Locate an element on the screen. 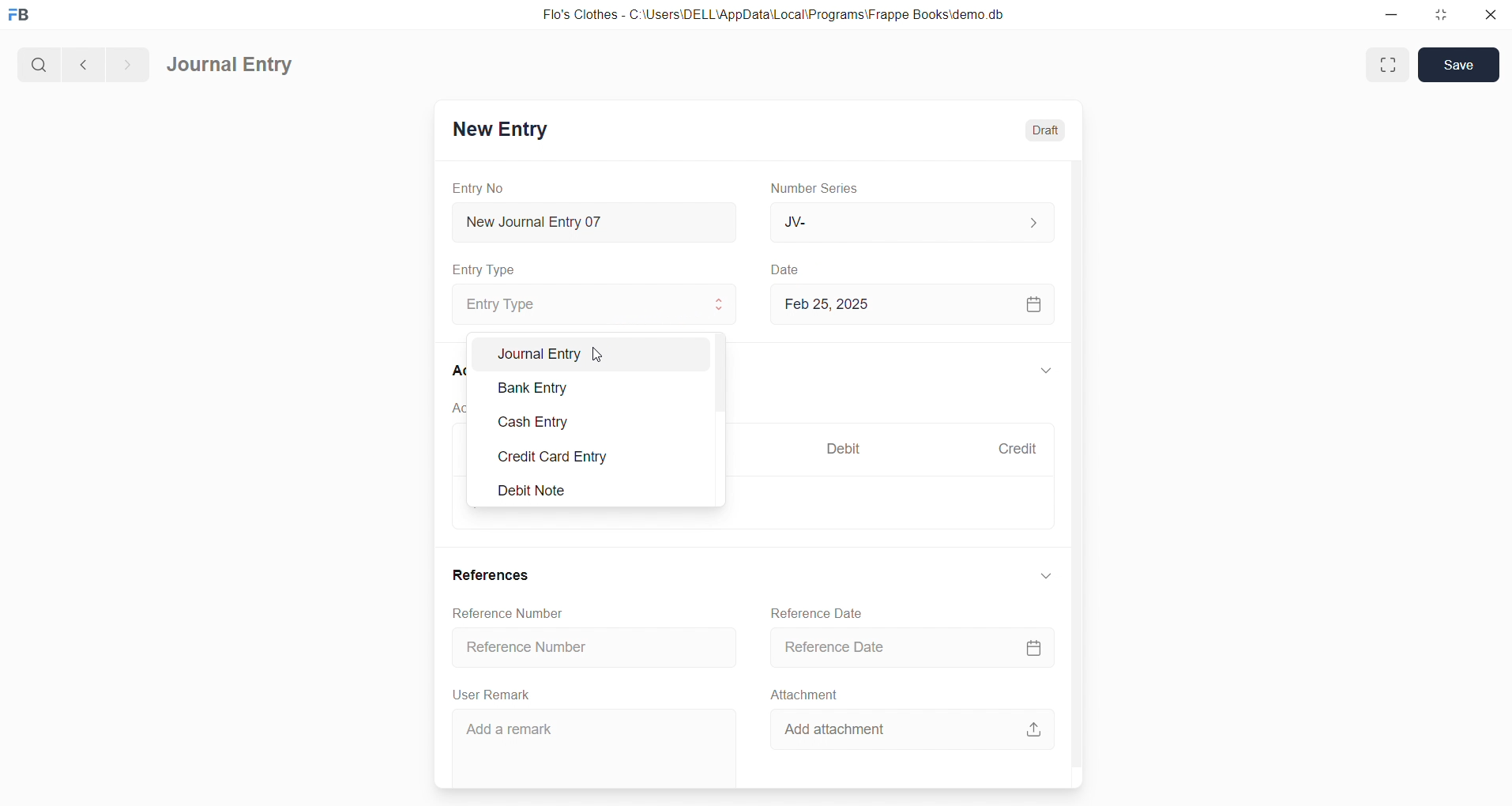 This screenshot has height=806, width=1512. expand/collapse is located at coordinates (1045, 371).